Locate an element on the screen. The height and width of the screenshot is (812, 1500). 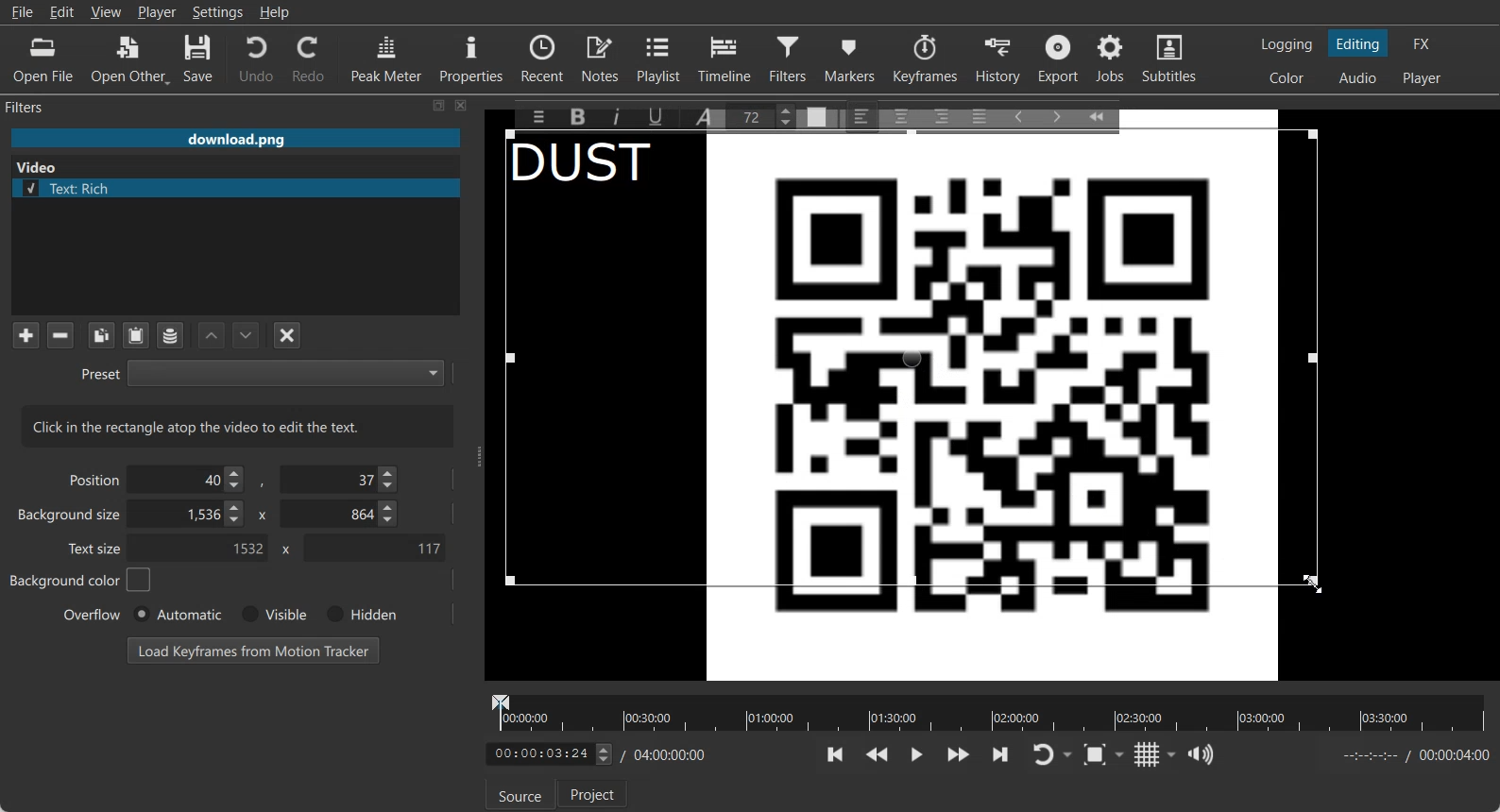
Playlist is located at coordinates (661, 58).